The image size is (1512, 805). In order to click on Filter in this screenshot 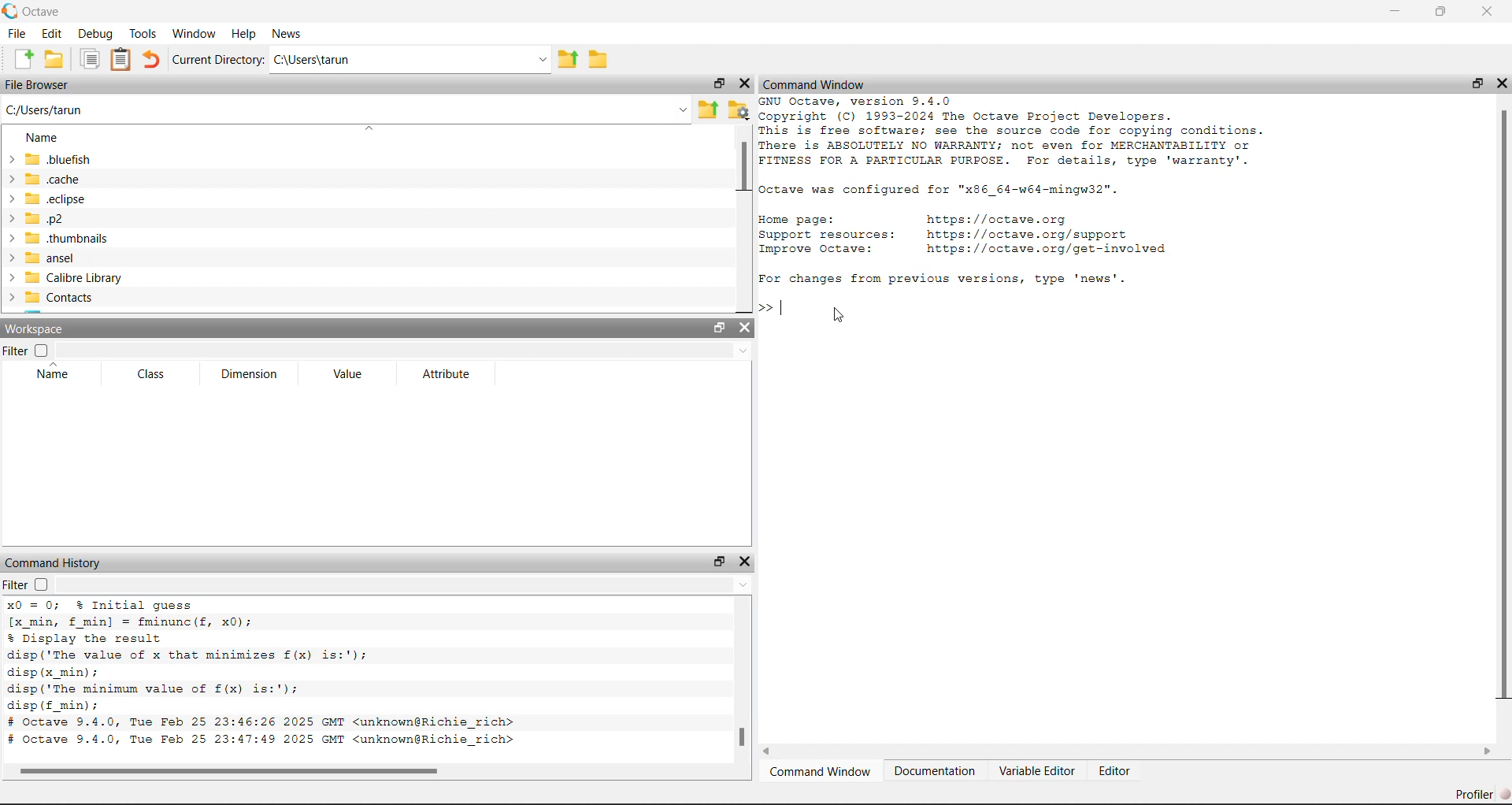, I will do `click(33, 351)`.